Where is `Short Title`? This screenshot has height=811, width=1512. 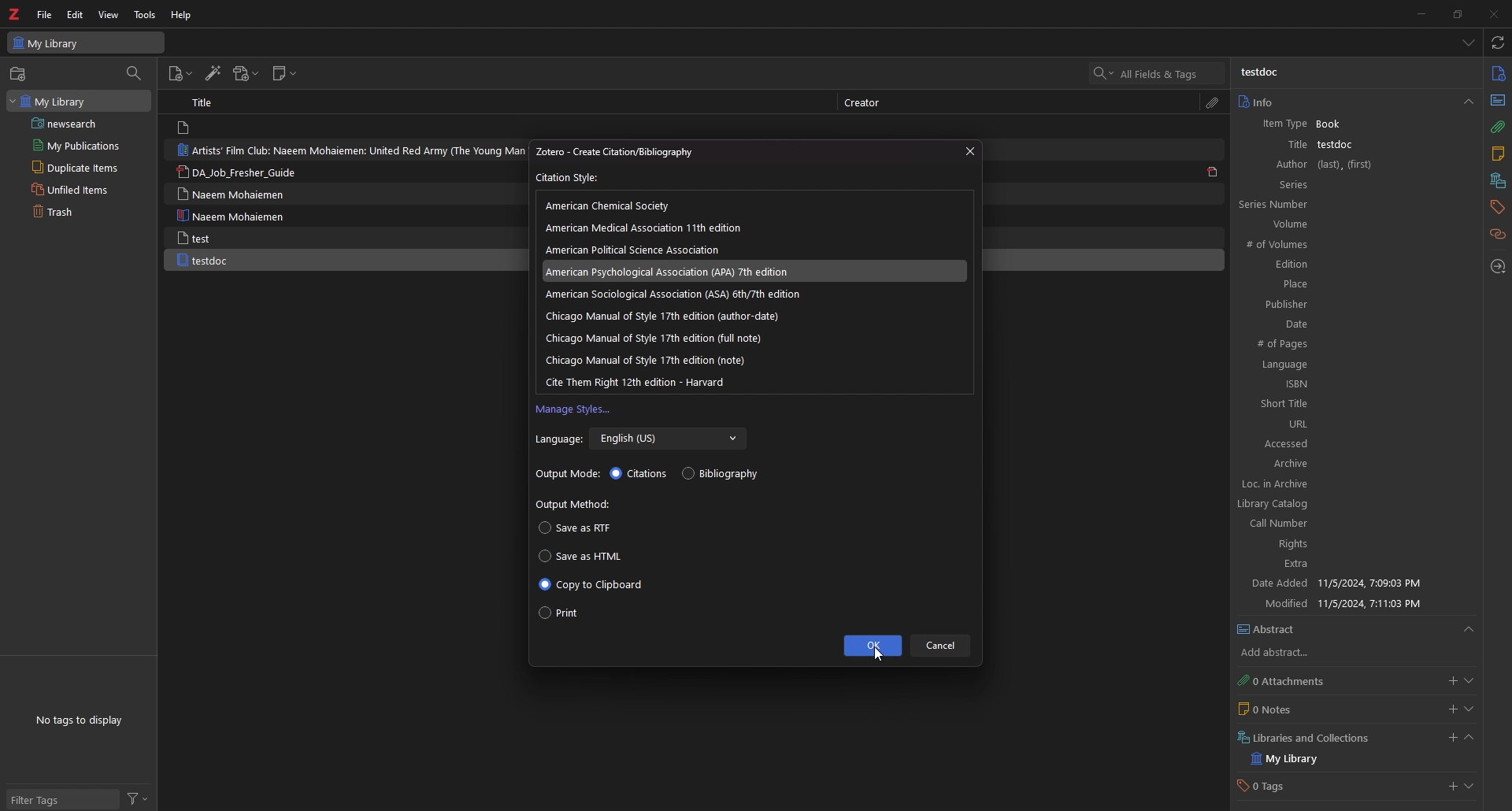
Short Title is located at coordinates (1353, 404).